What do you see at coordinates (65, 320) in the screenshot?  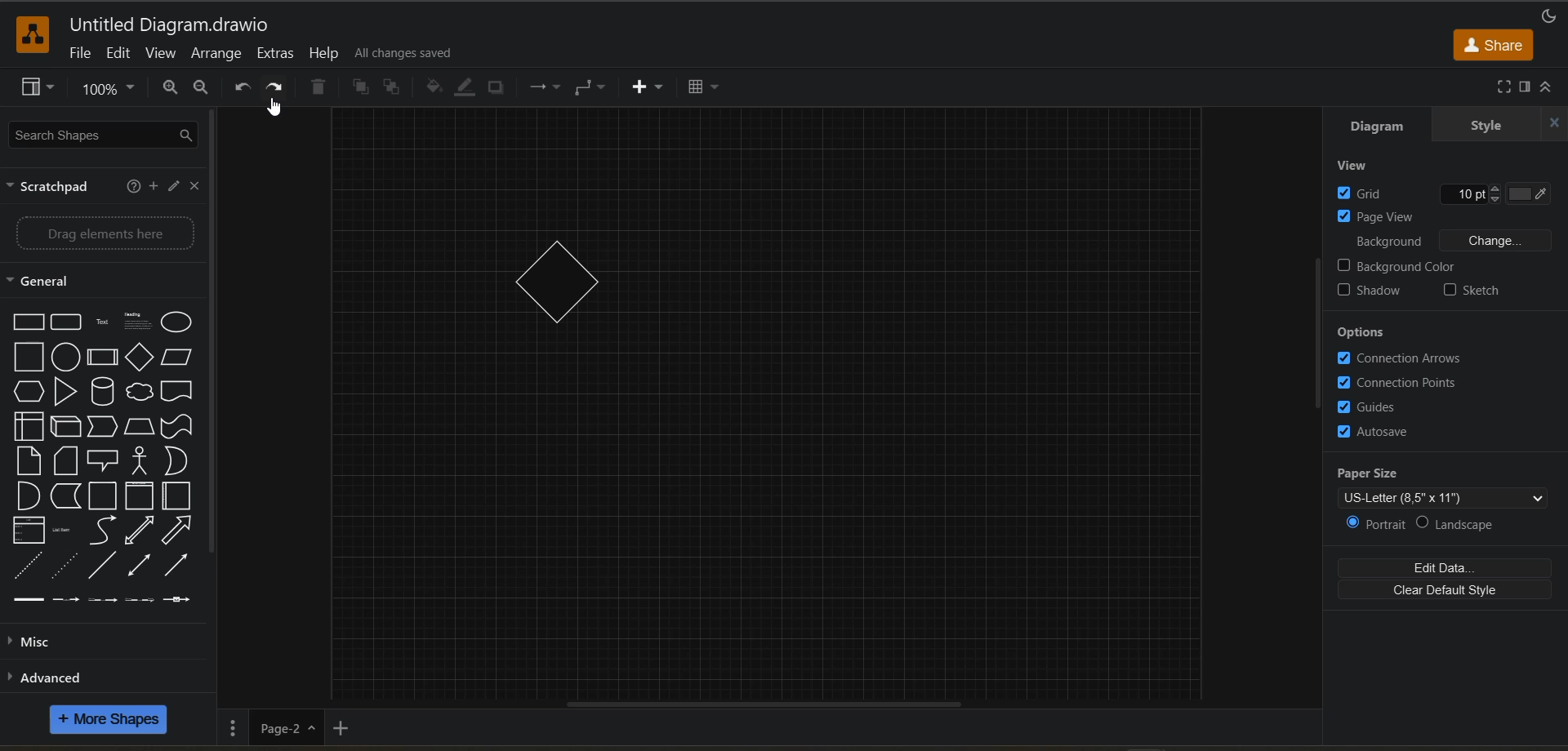 I see `rounded rectangle` at bounding box center [65, 320].